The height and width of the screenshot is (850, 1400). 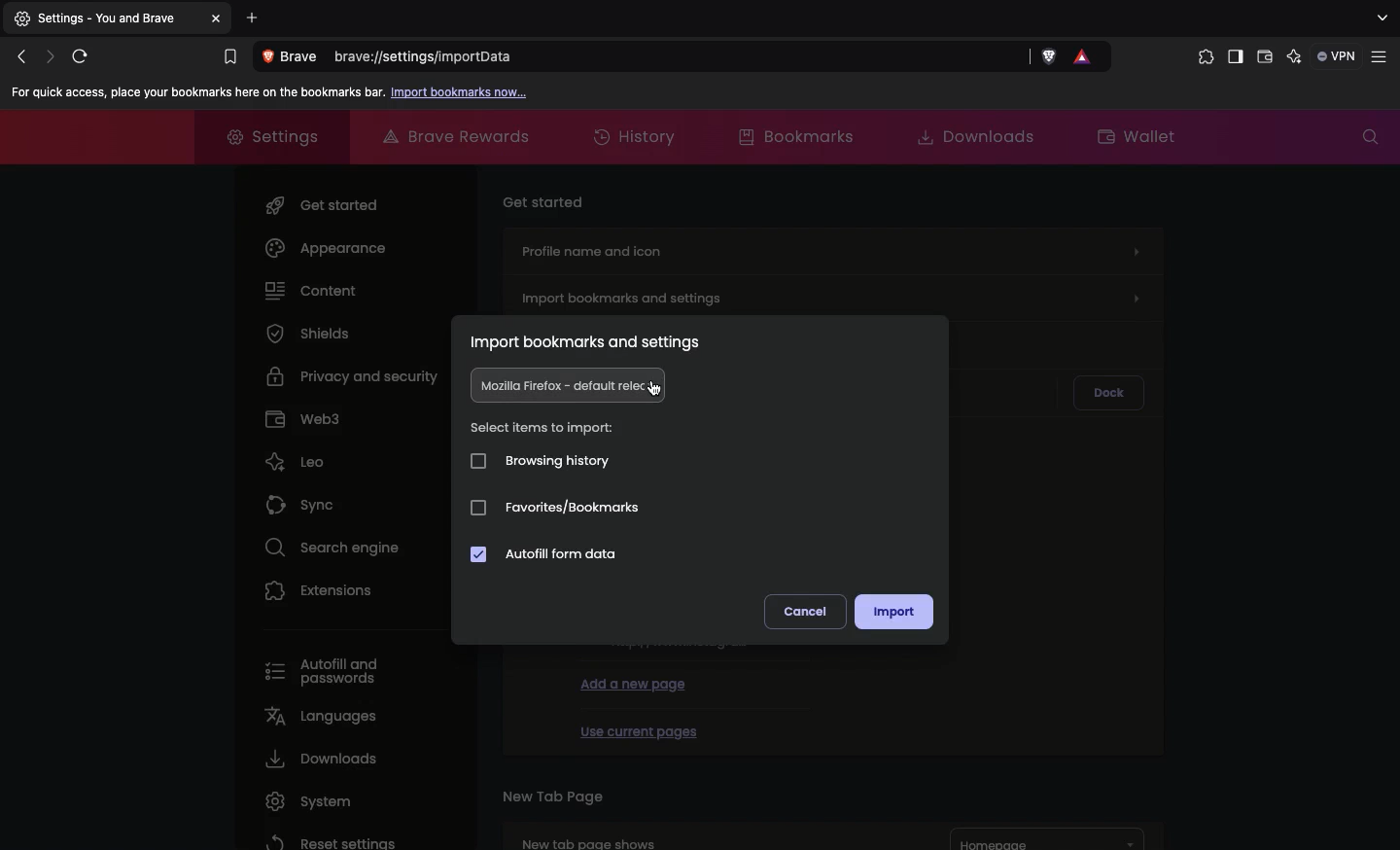 What do you see at coordinates (330, 673) in the screenshot?
I see `Autofill and passwords` at bounding box center [330, 673].